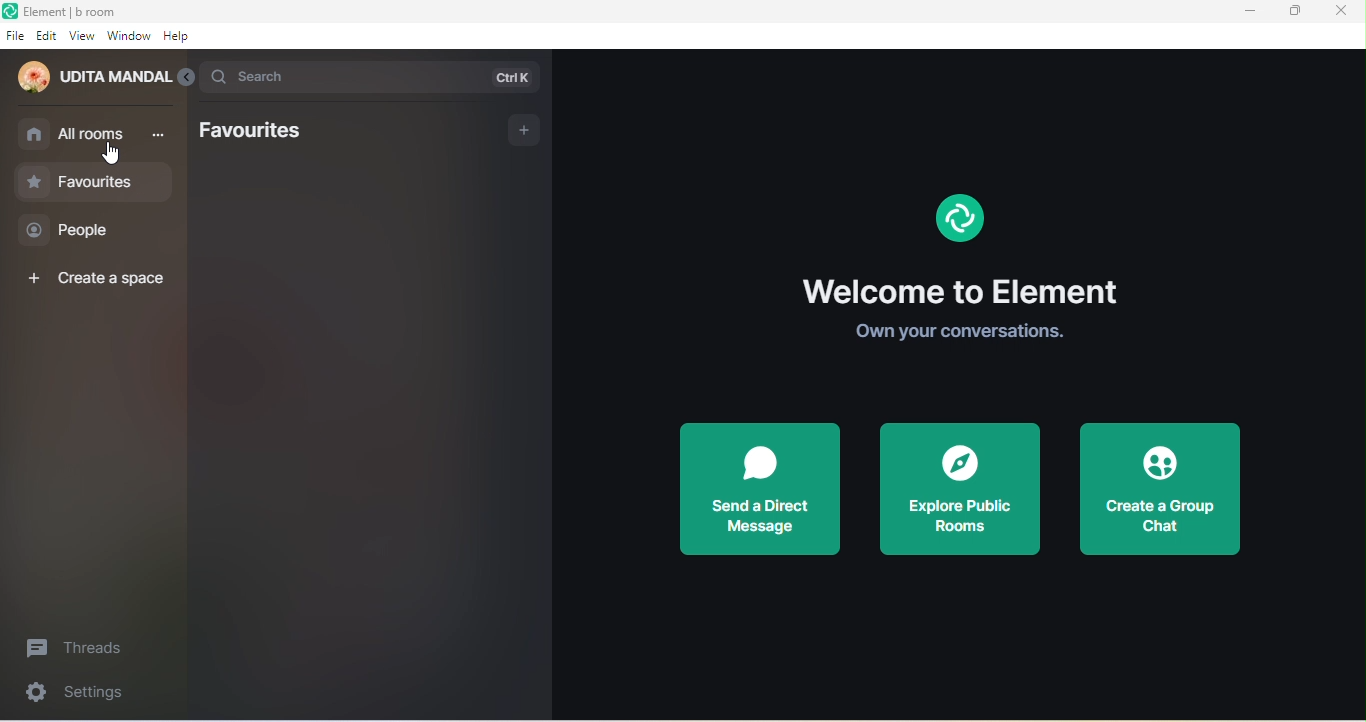  I want to click on expand, so click(187, 79).